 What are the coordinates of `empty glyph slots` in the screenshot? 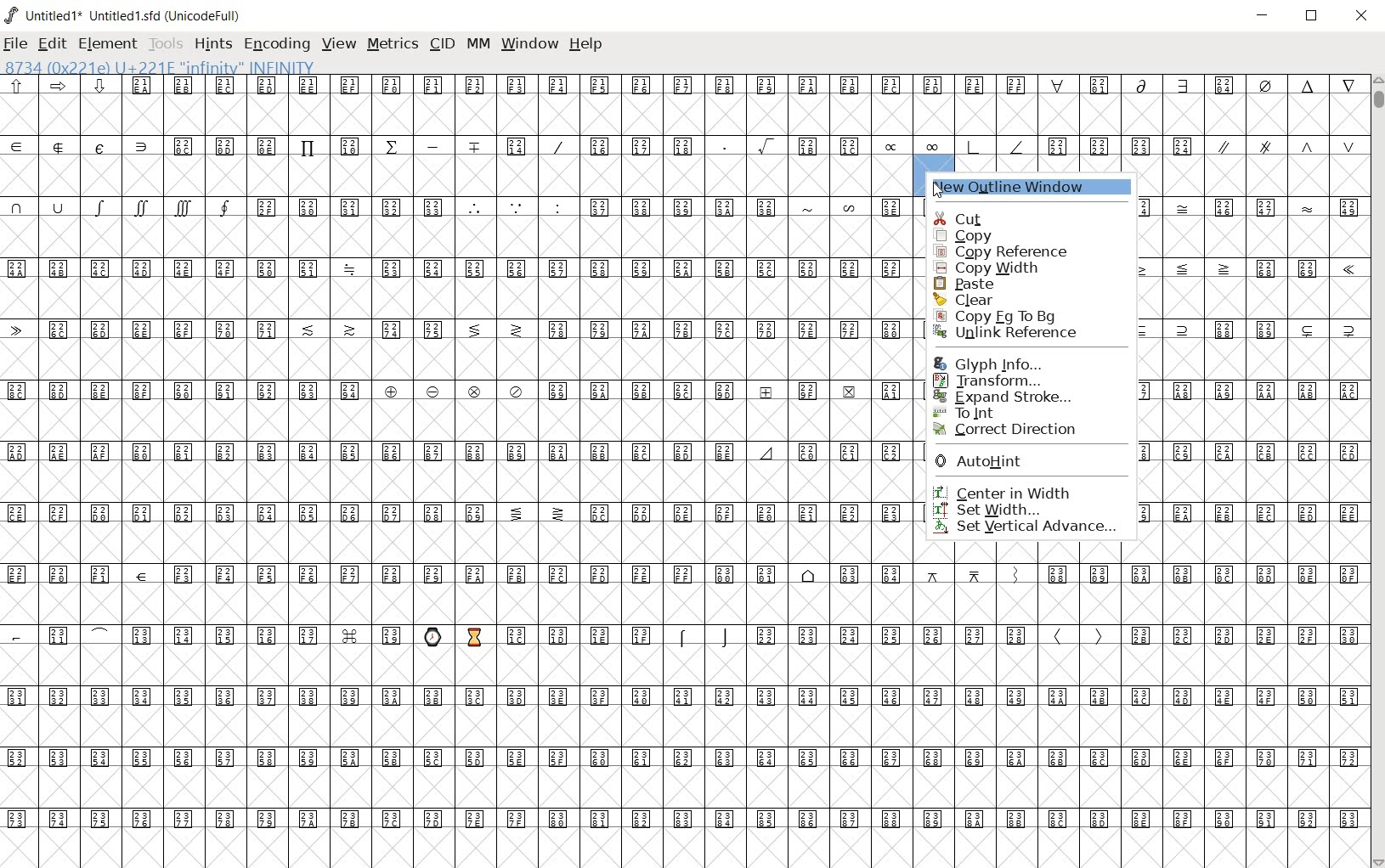 It's located at (456, 178).